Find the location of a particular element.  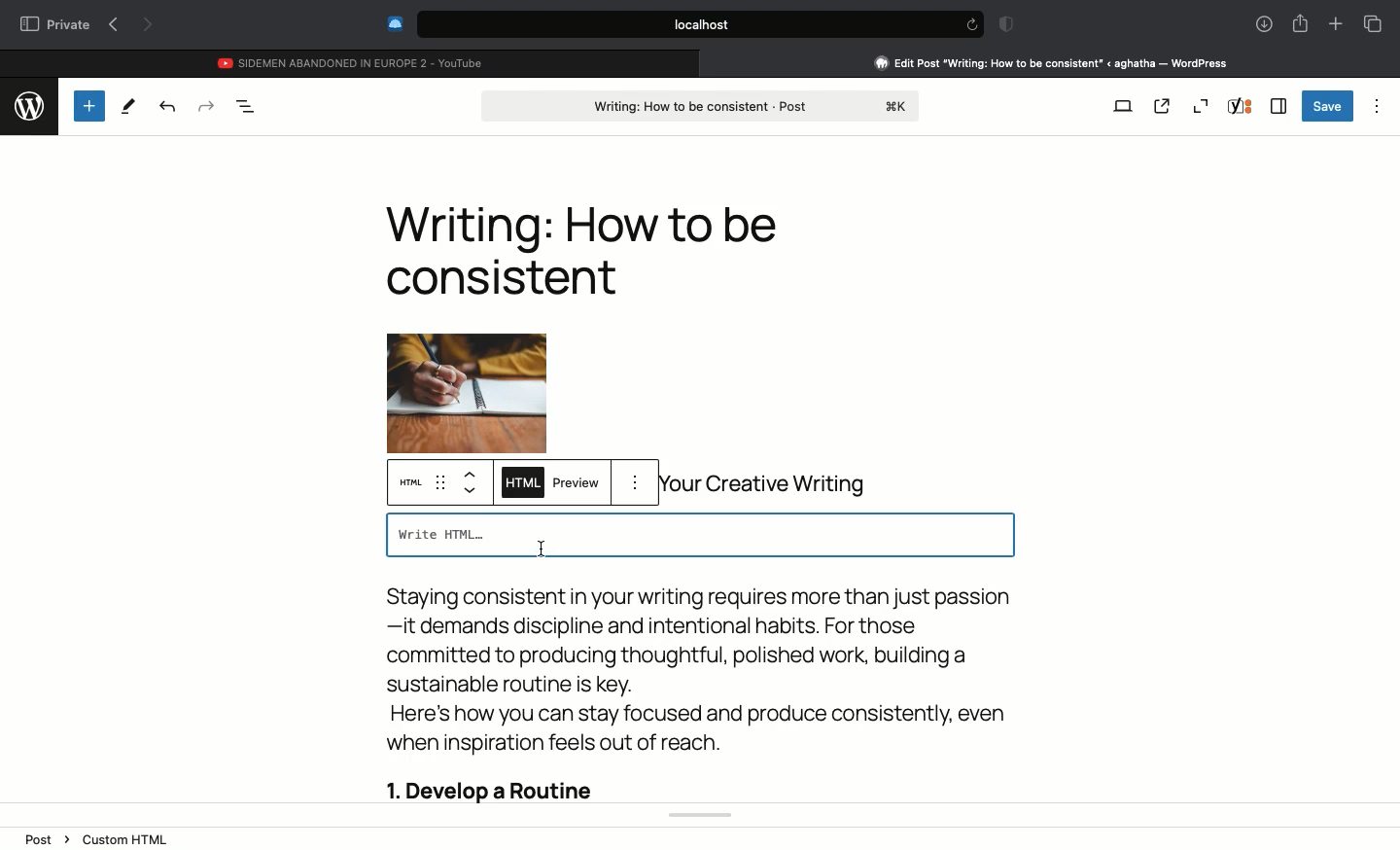

Extensions is located at coordinates (393, 23).